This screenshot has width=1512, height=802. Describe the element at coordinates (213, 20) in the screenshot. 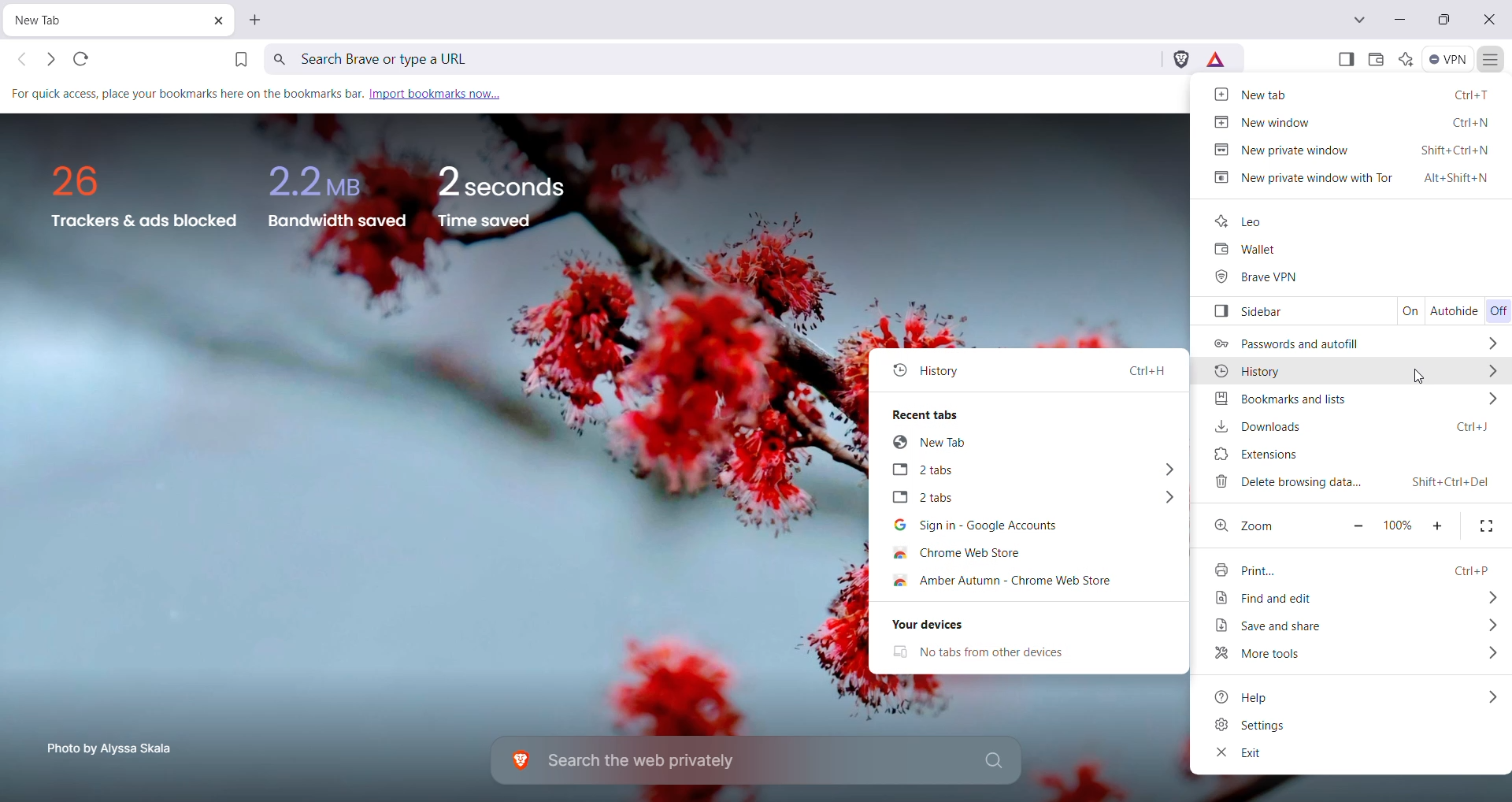

I see `Close Tab` at that location.